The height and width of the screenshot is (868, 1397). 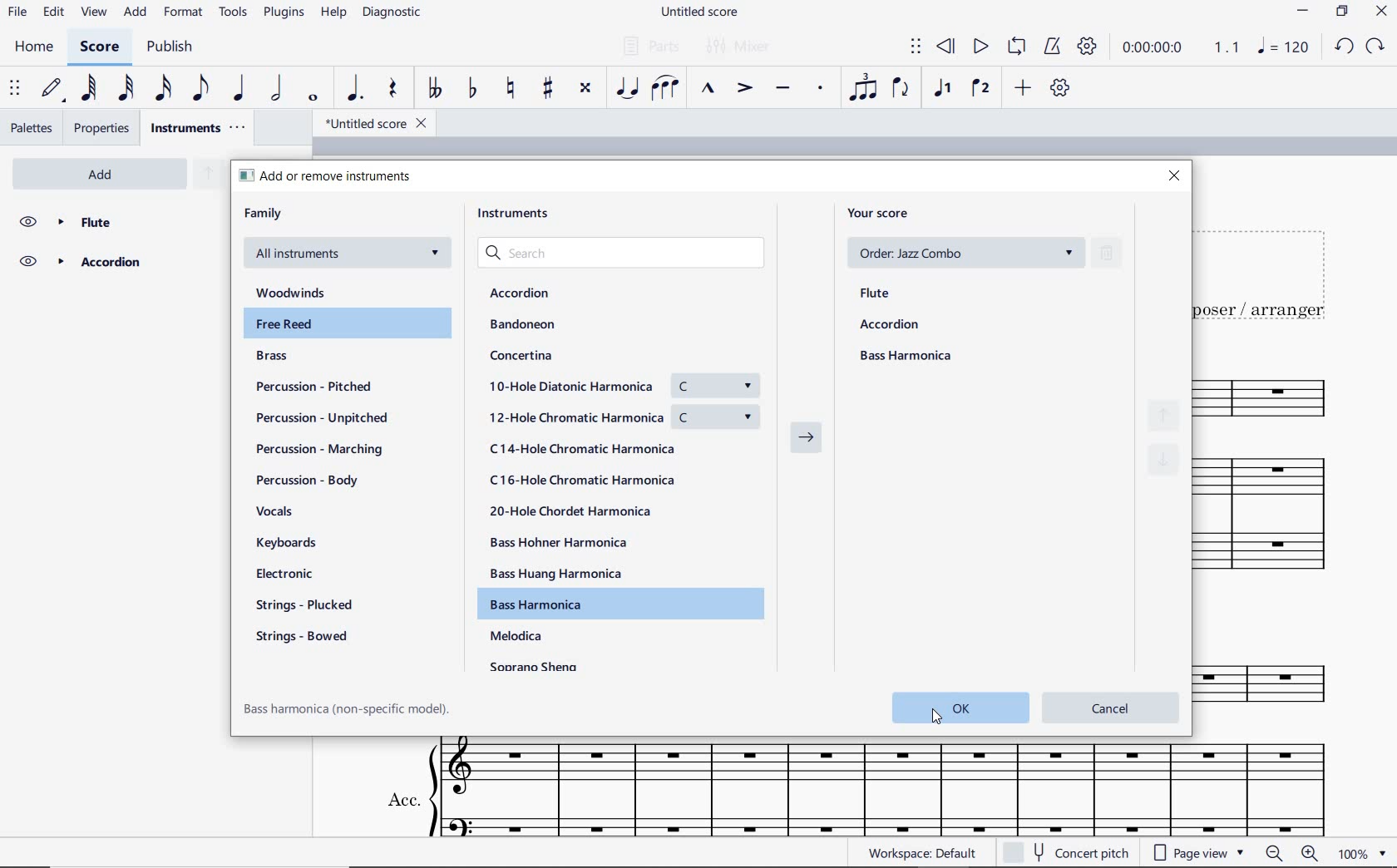 I want to click on close, so click(x=1176, y=175).